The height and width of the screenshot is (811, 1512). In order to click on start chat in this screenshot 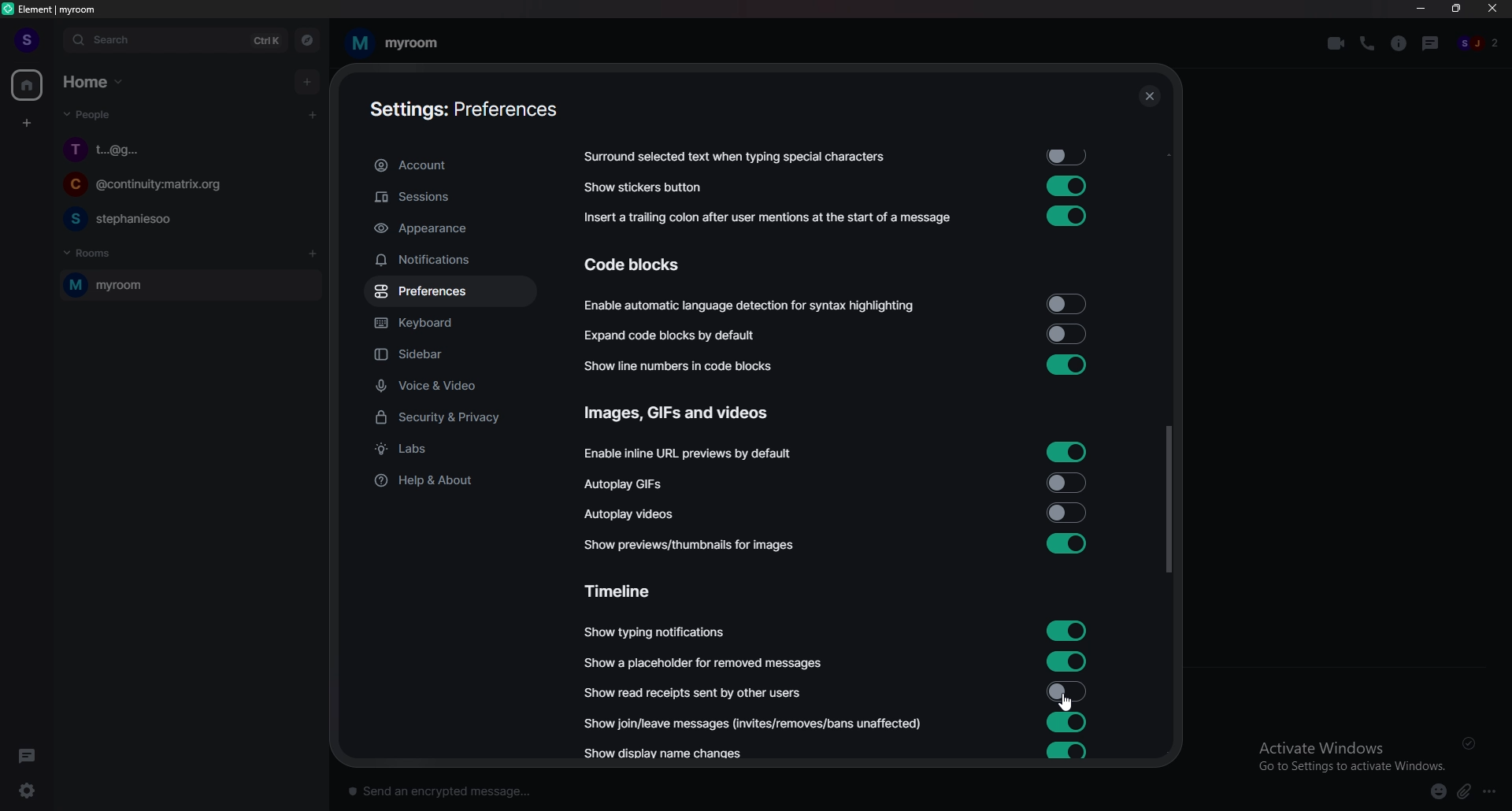, I will do `click(312, 114)`.